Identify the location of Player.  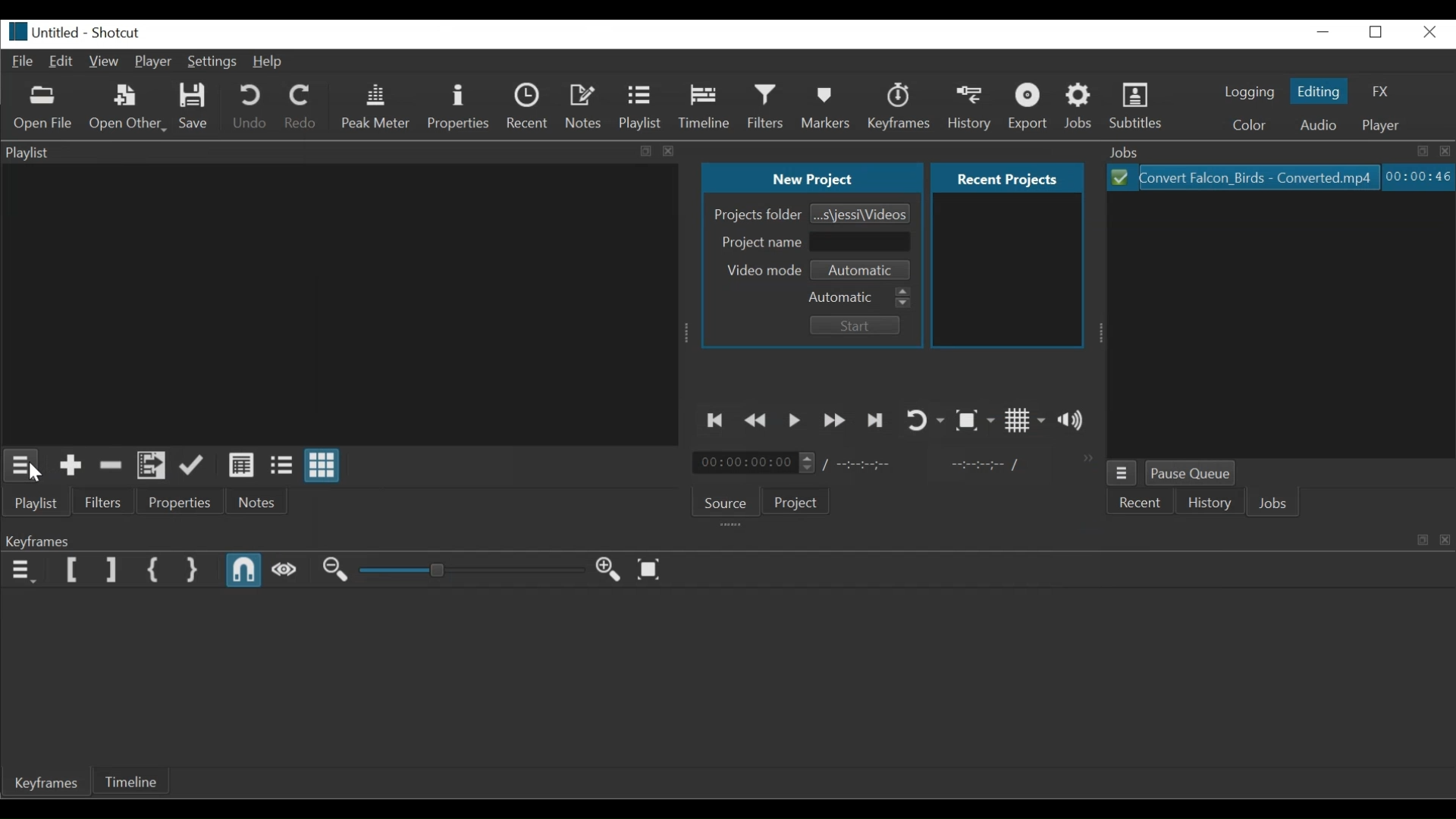
(1382, 126).